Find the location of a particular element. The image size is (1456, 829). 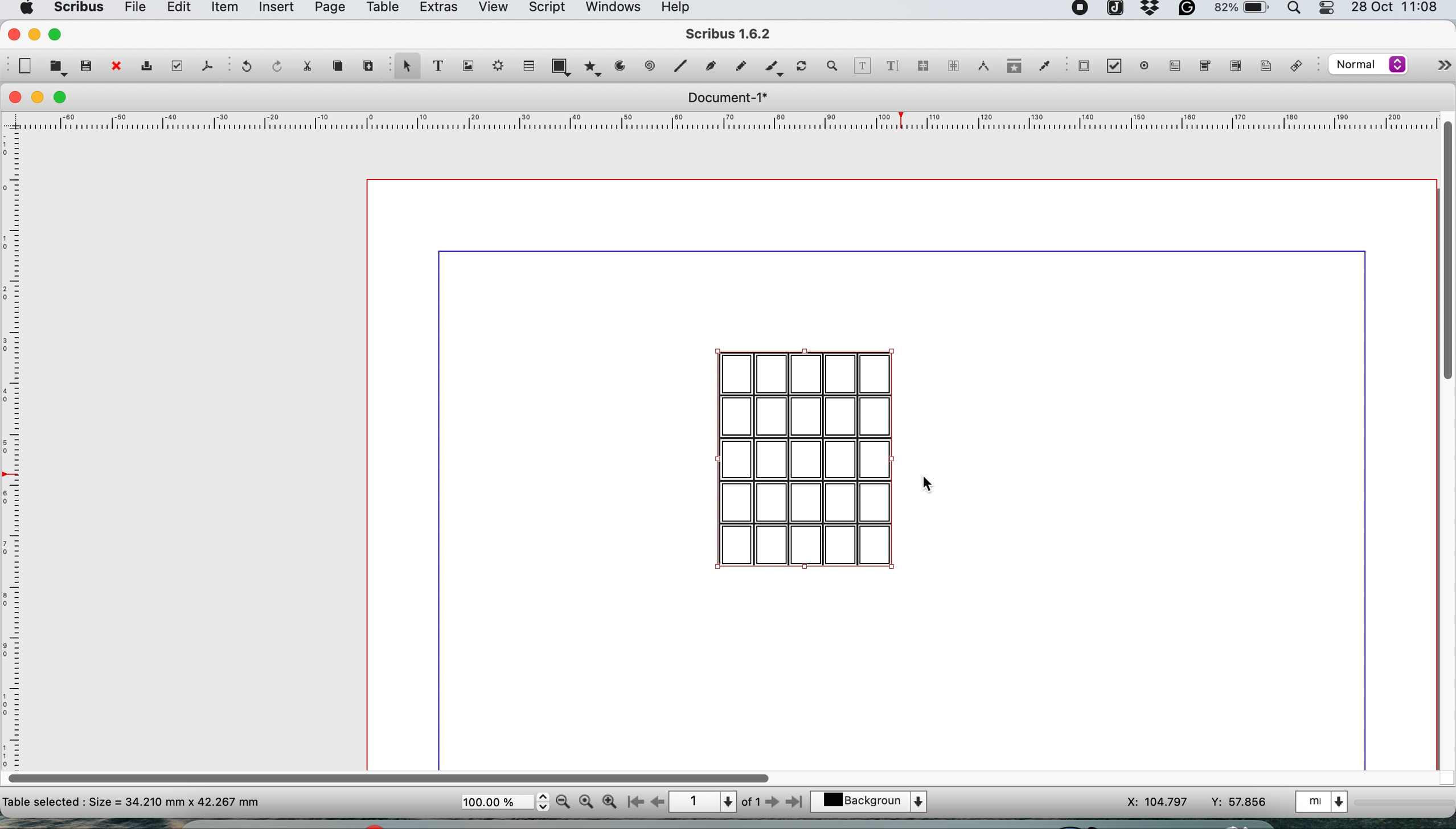

pdf text field is located at coordinates (1172, 66).